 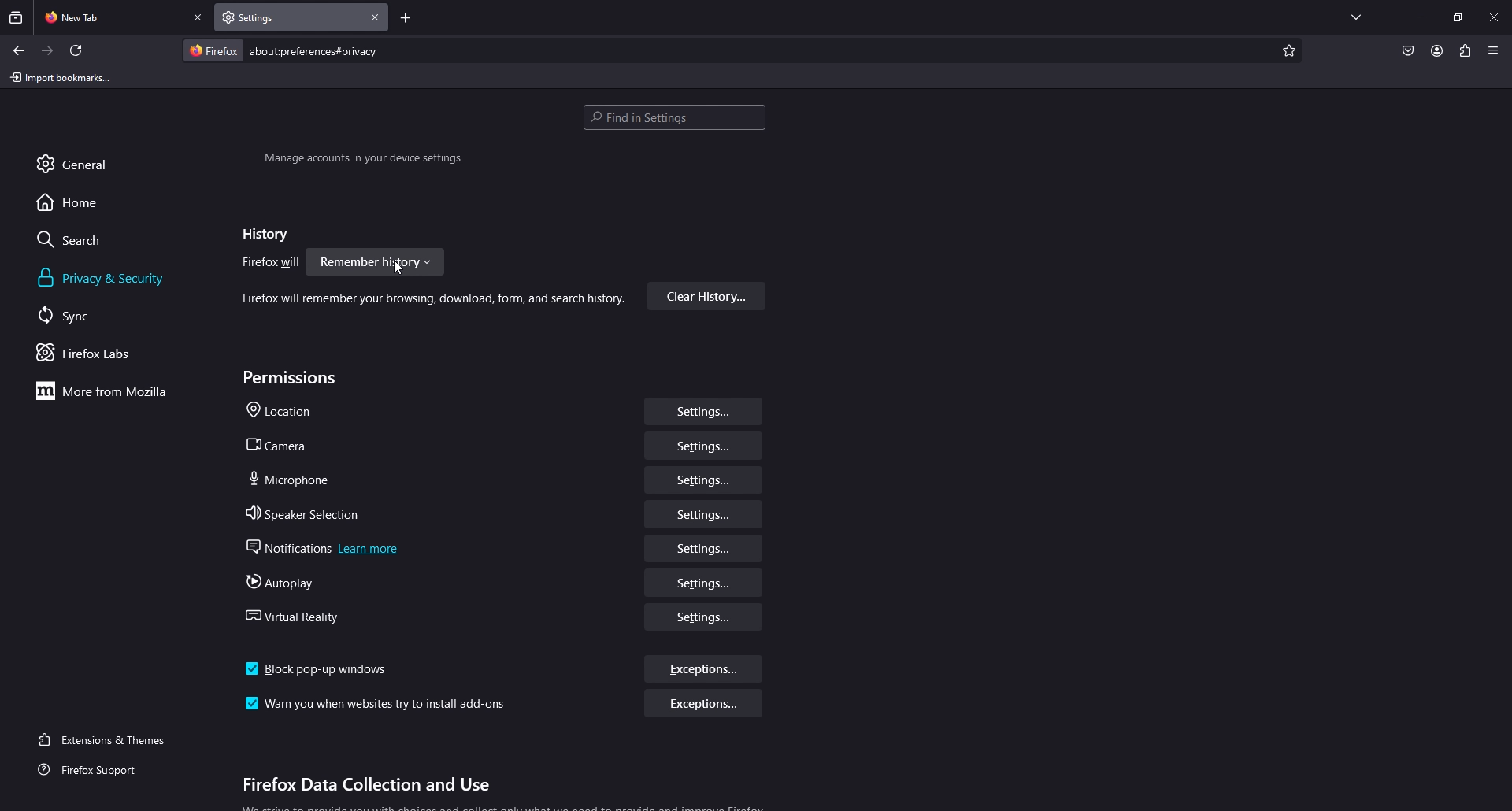 I want to click on profile, so click(x=1436, y=50).